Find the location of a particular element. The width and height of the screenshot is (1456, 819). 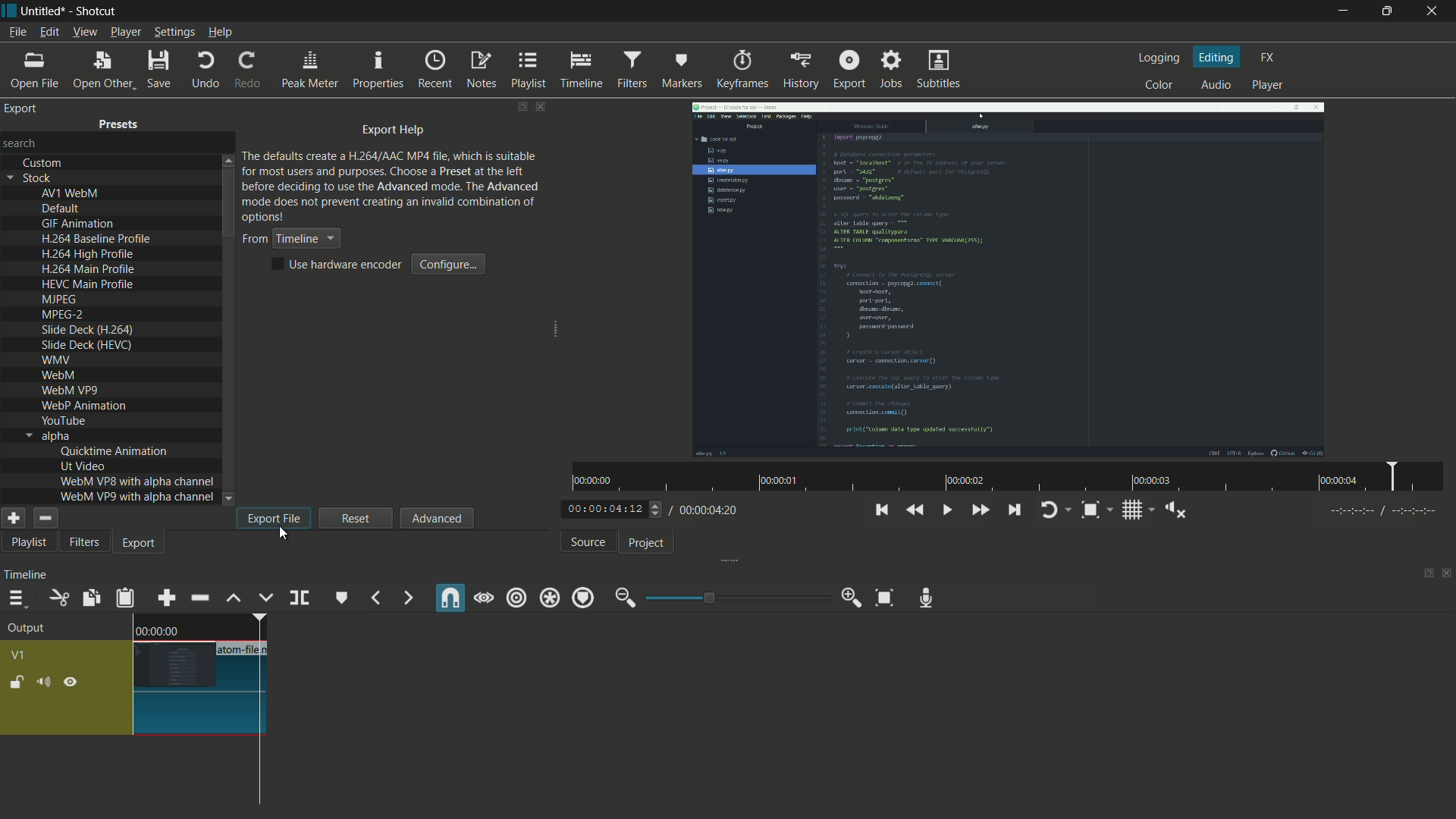

subtitles is located at coordinates (937, 68).